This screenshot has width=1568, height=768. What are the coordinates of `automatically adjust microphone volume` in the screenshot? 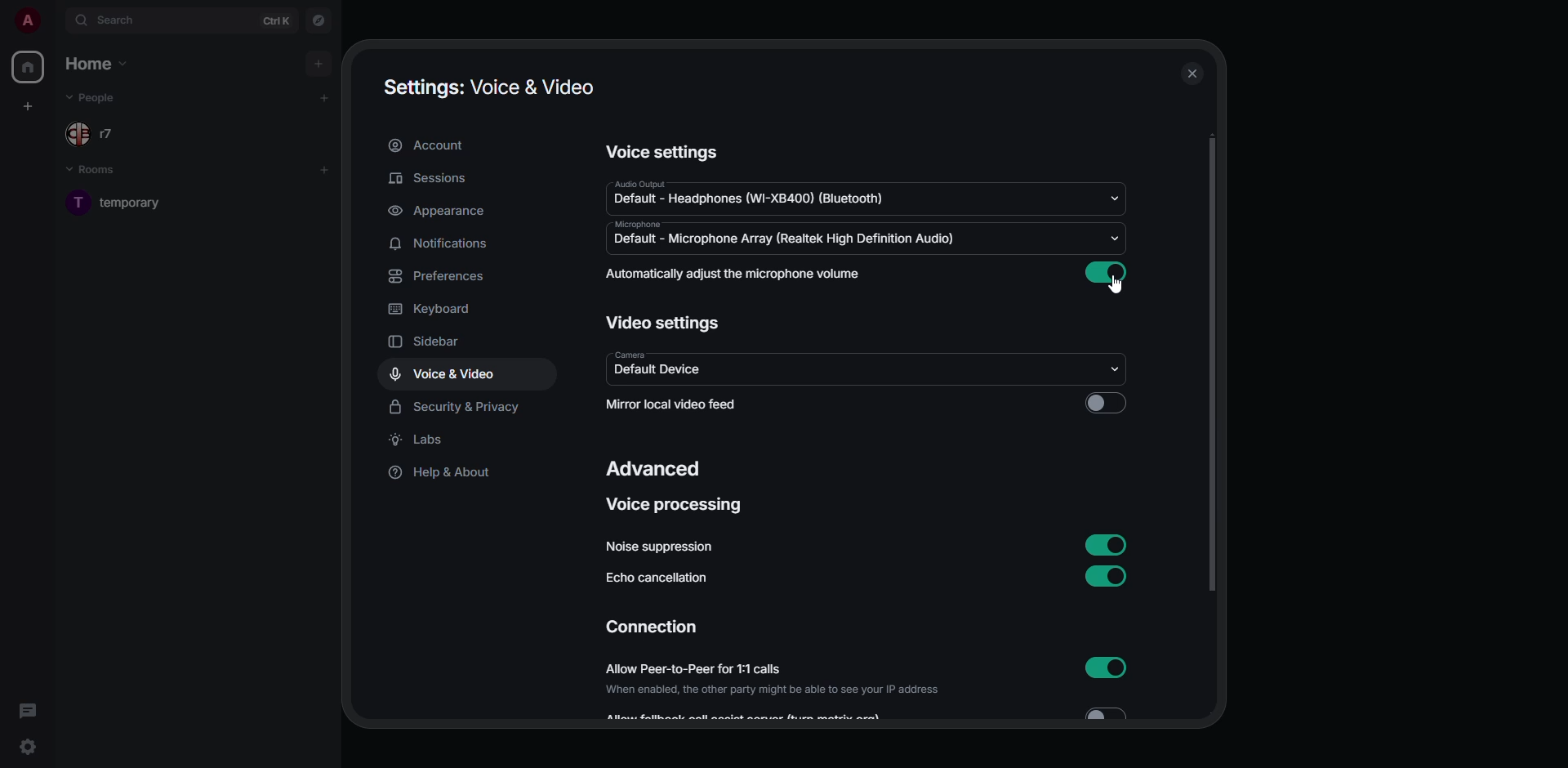 It's located at (735, 274).